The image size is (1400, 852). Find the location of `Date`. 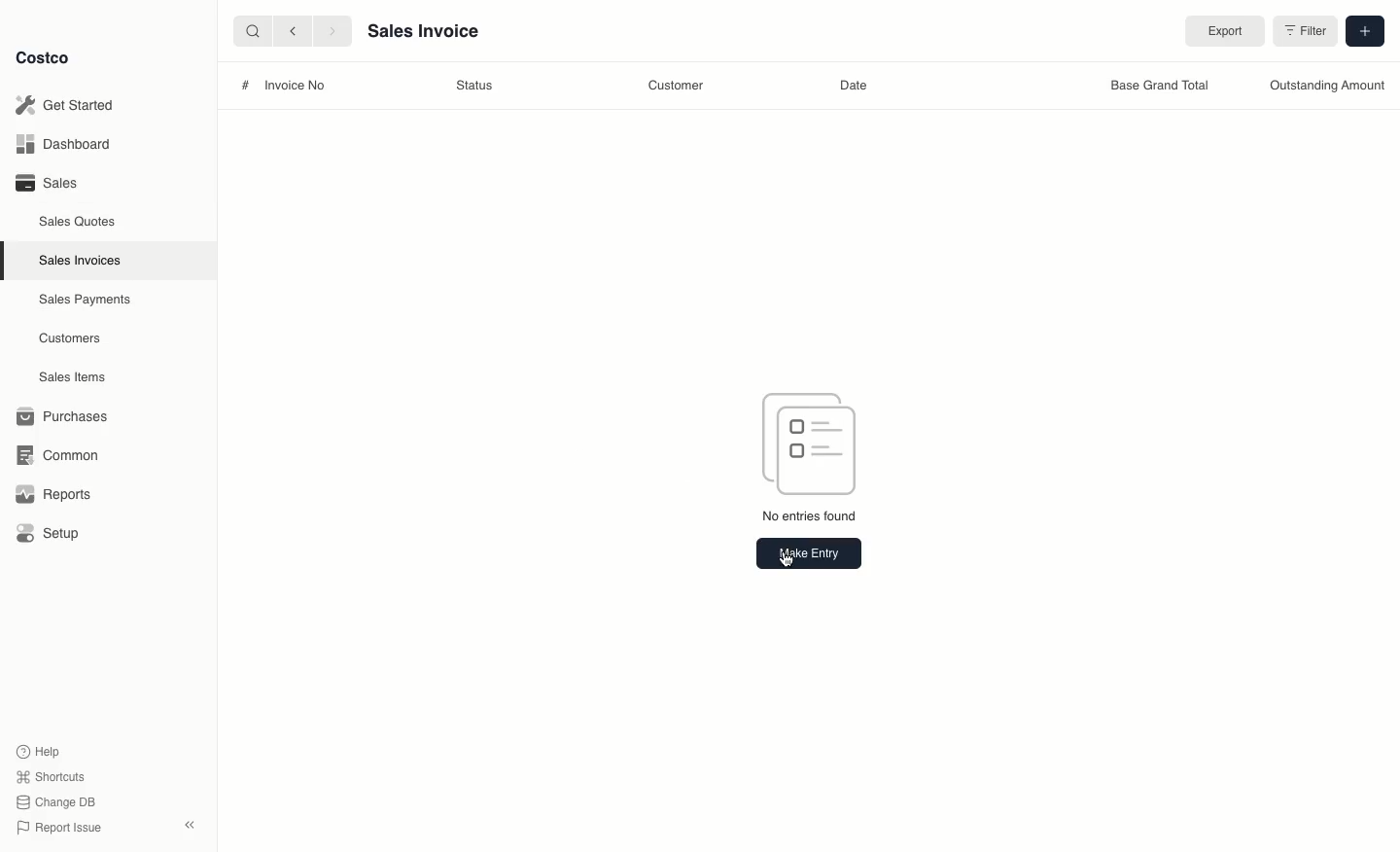

Date is located at coordinates (856, 86).